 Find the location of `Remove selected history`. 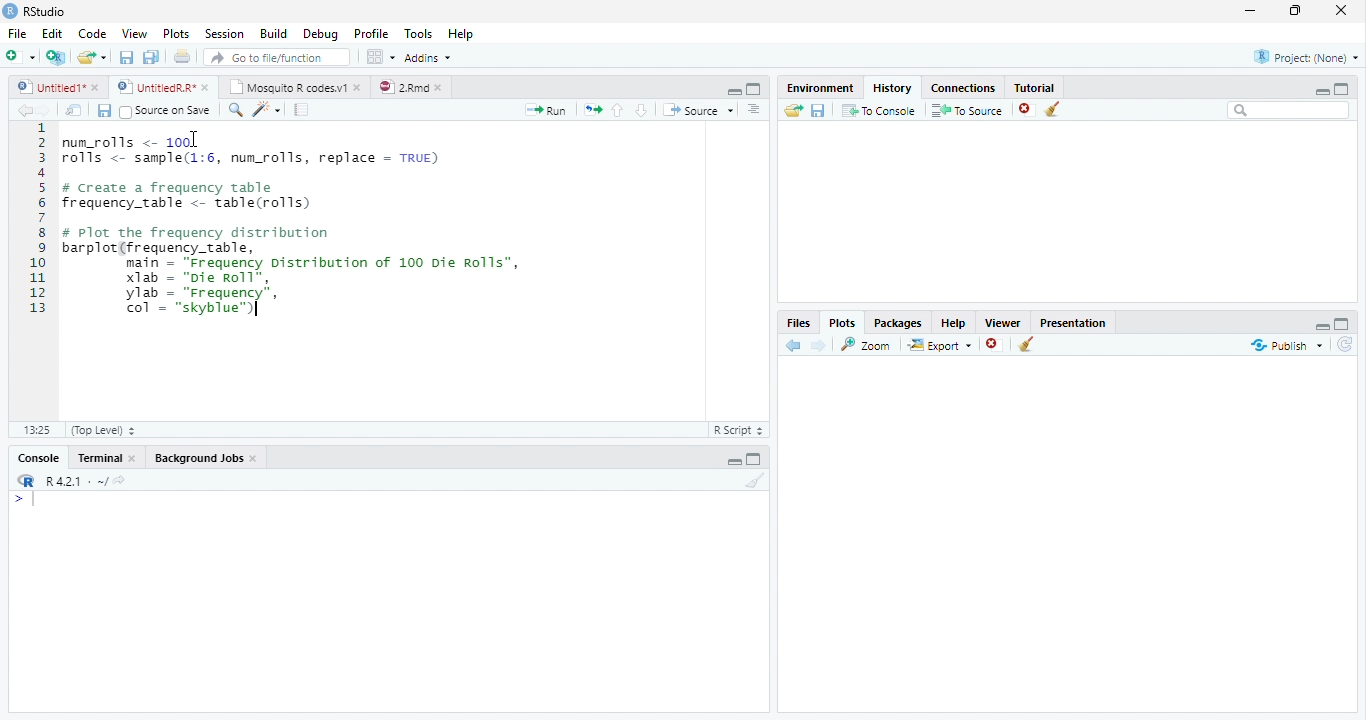

Remove selected history is located at coordinates (1025, 109).